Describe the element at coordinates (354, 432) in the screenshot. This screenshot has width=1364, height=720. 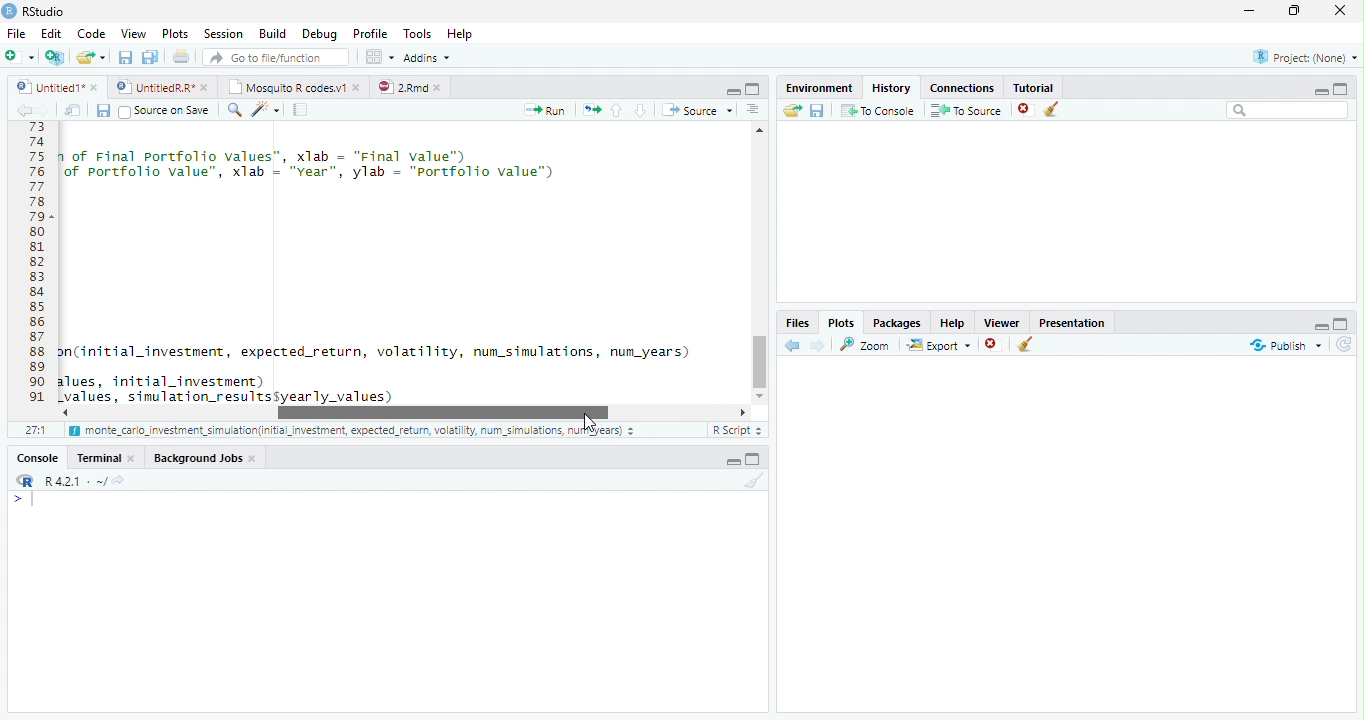
I see `monte_cario investment _simuiation{initial investment, expected_return, volatility, num simulations, num years)` at that location.